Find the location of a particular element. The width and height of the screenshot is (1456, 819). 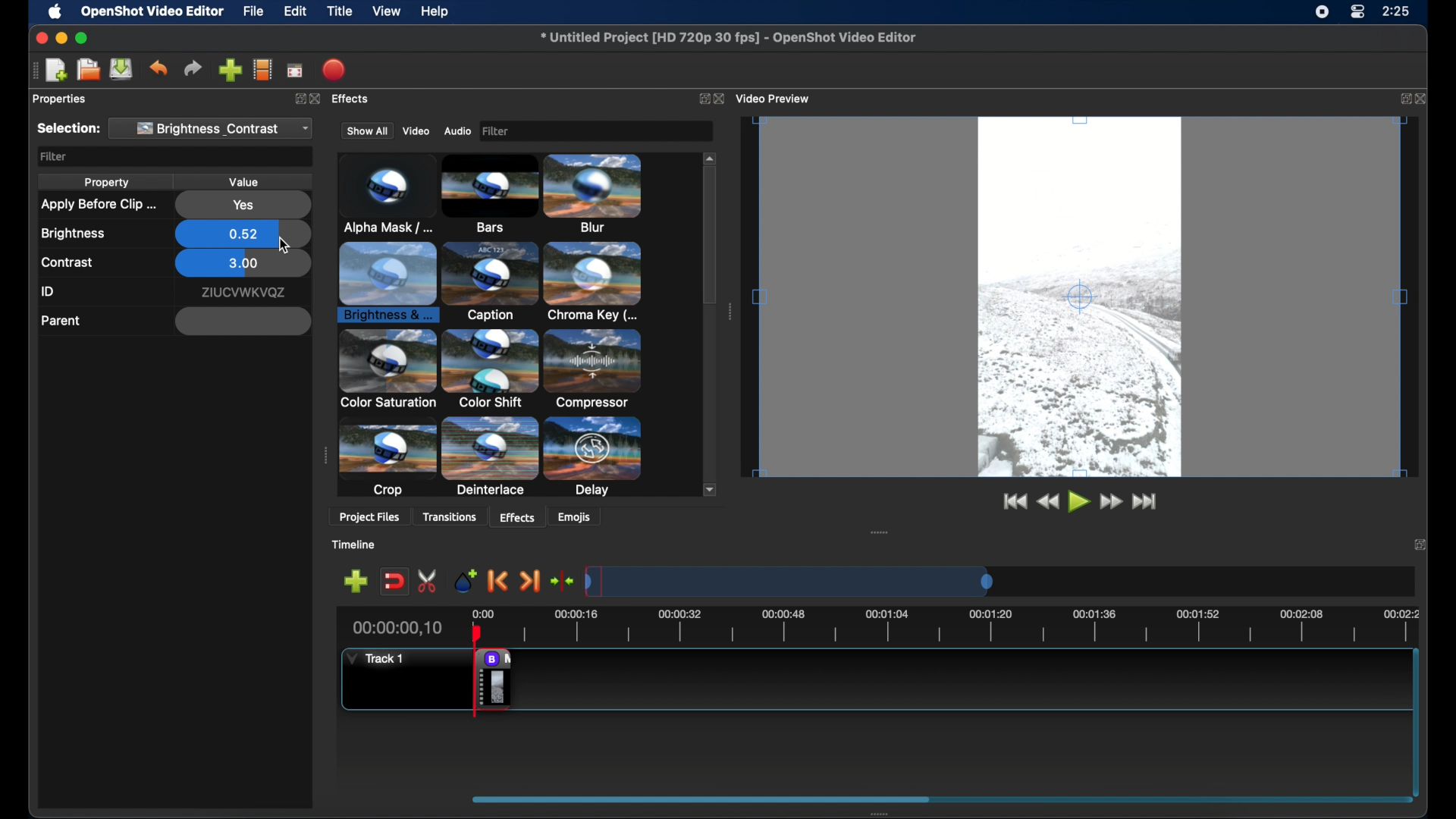

3.00 is located at coordinates (243, 265).